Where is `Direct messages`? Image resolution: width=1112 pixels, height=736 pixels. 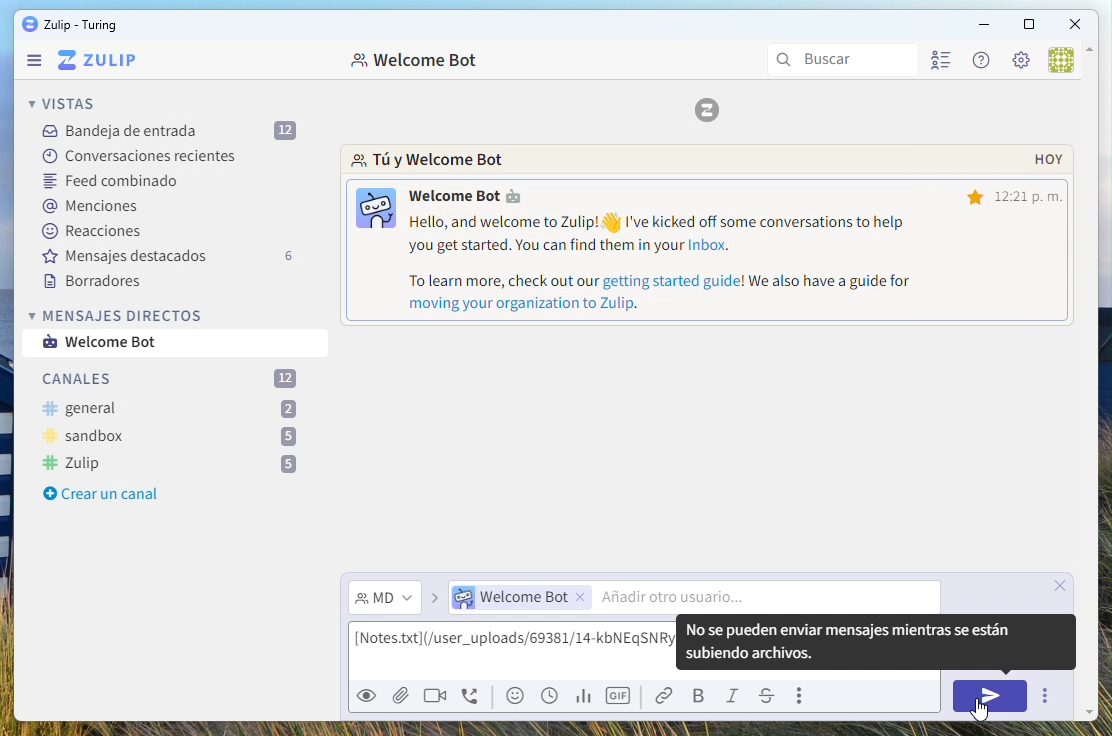
Direct messages is located at coordinates (119, 315).